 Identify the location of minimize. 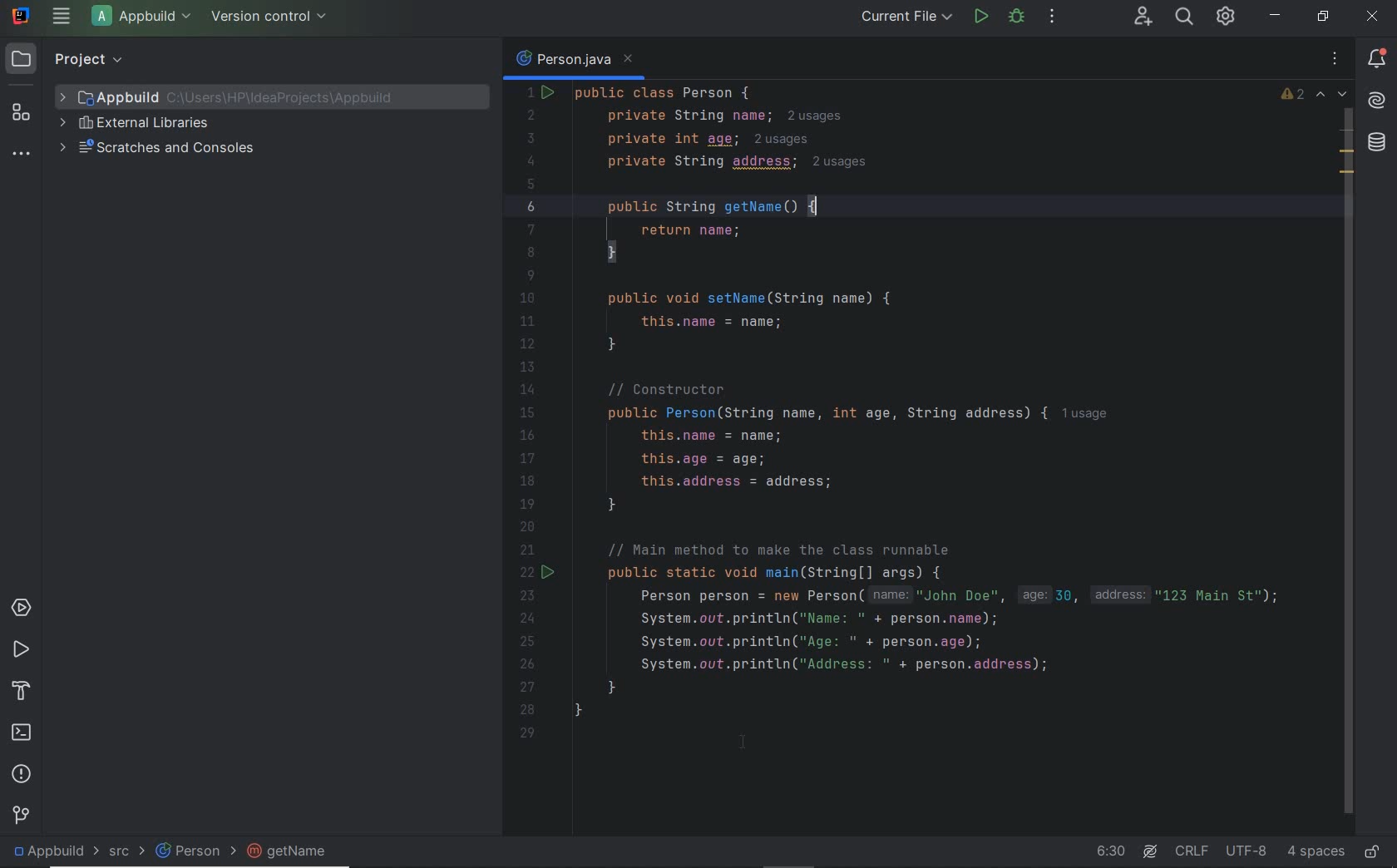
(1275, 15).